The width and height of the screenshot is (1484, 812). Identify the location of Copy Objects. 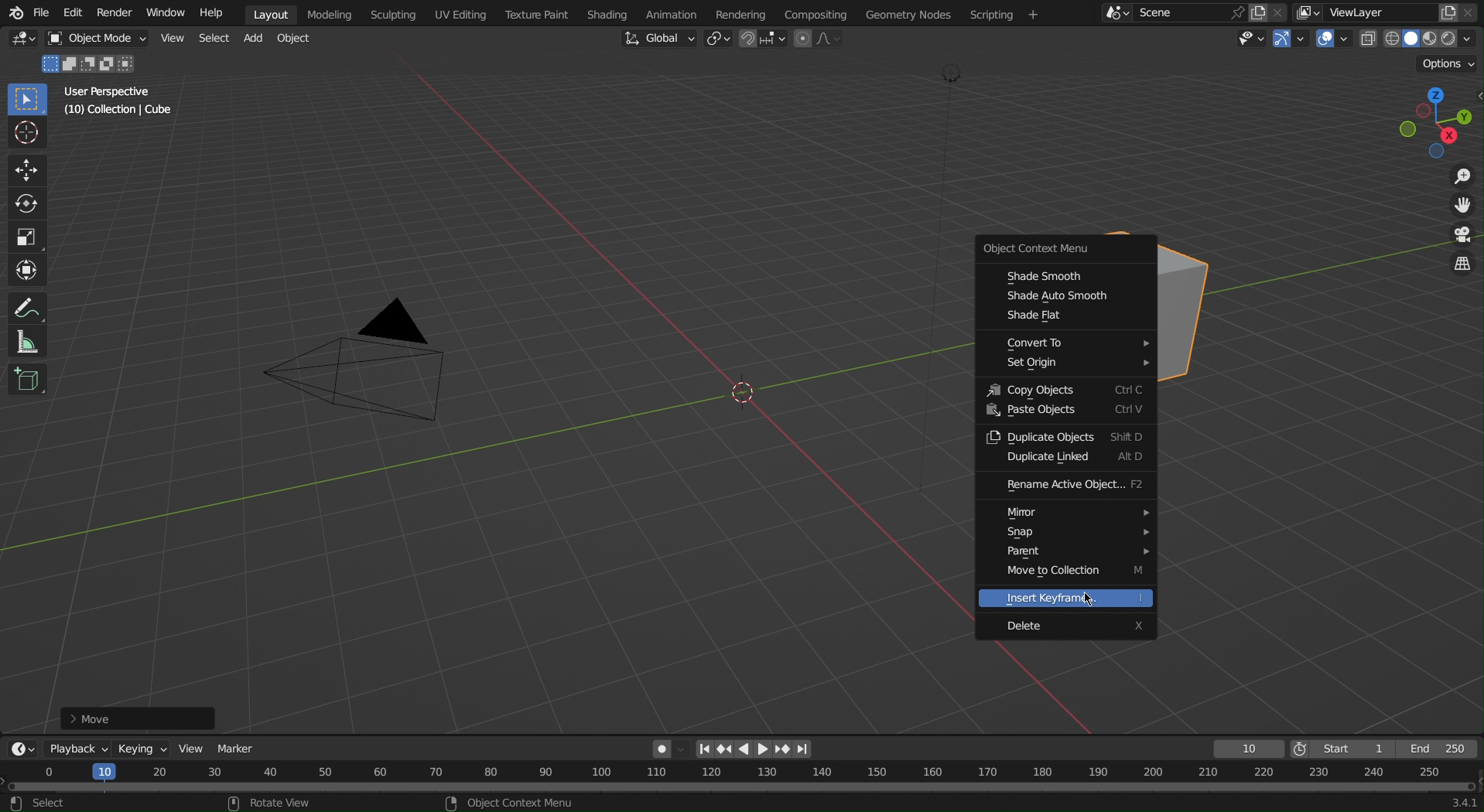
(1064, 388).